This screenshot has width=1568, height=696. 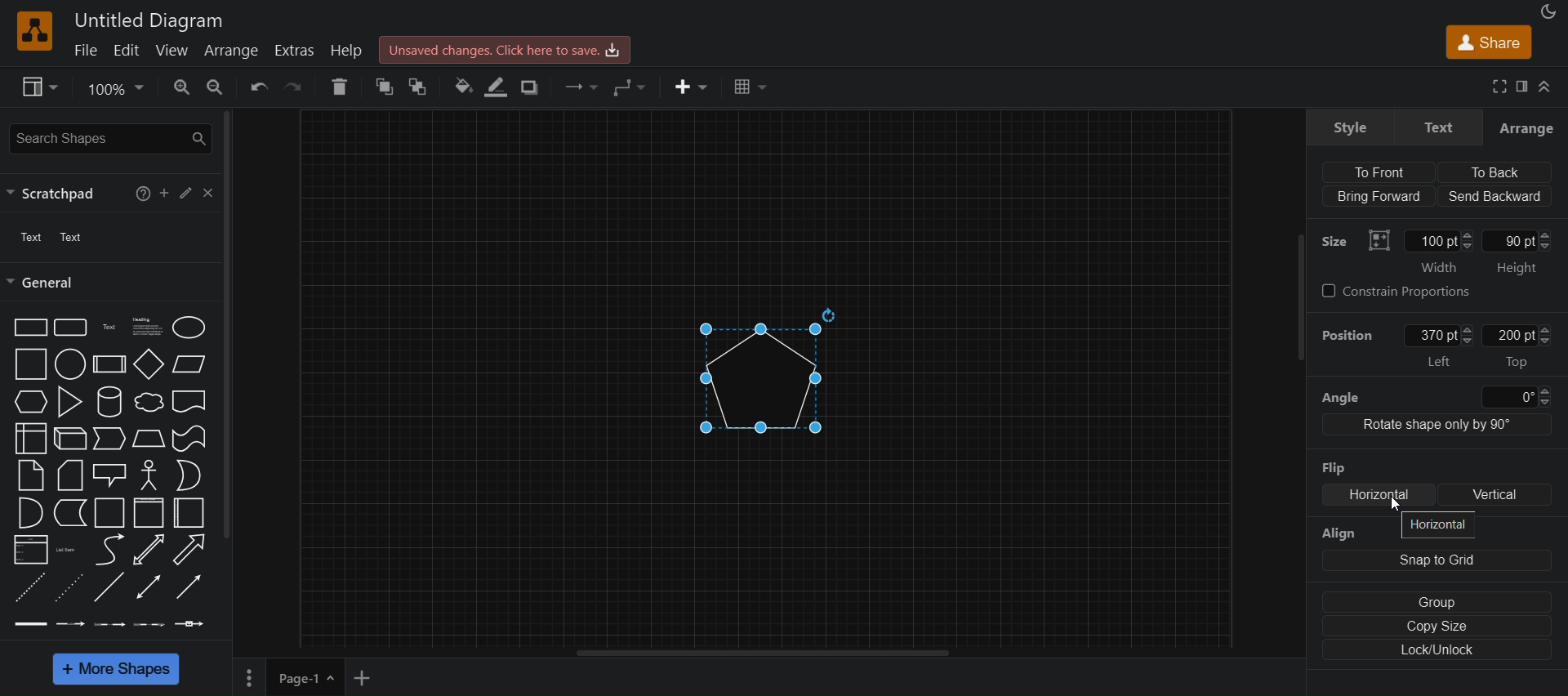 I want to click on zoom, so click(x=182, y=88).